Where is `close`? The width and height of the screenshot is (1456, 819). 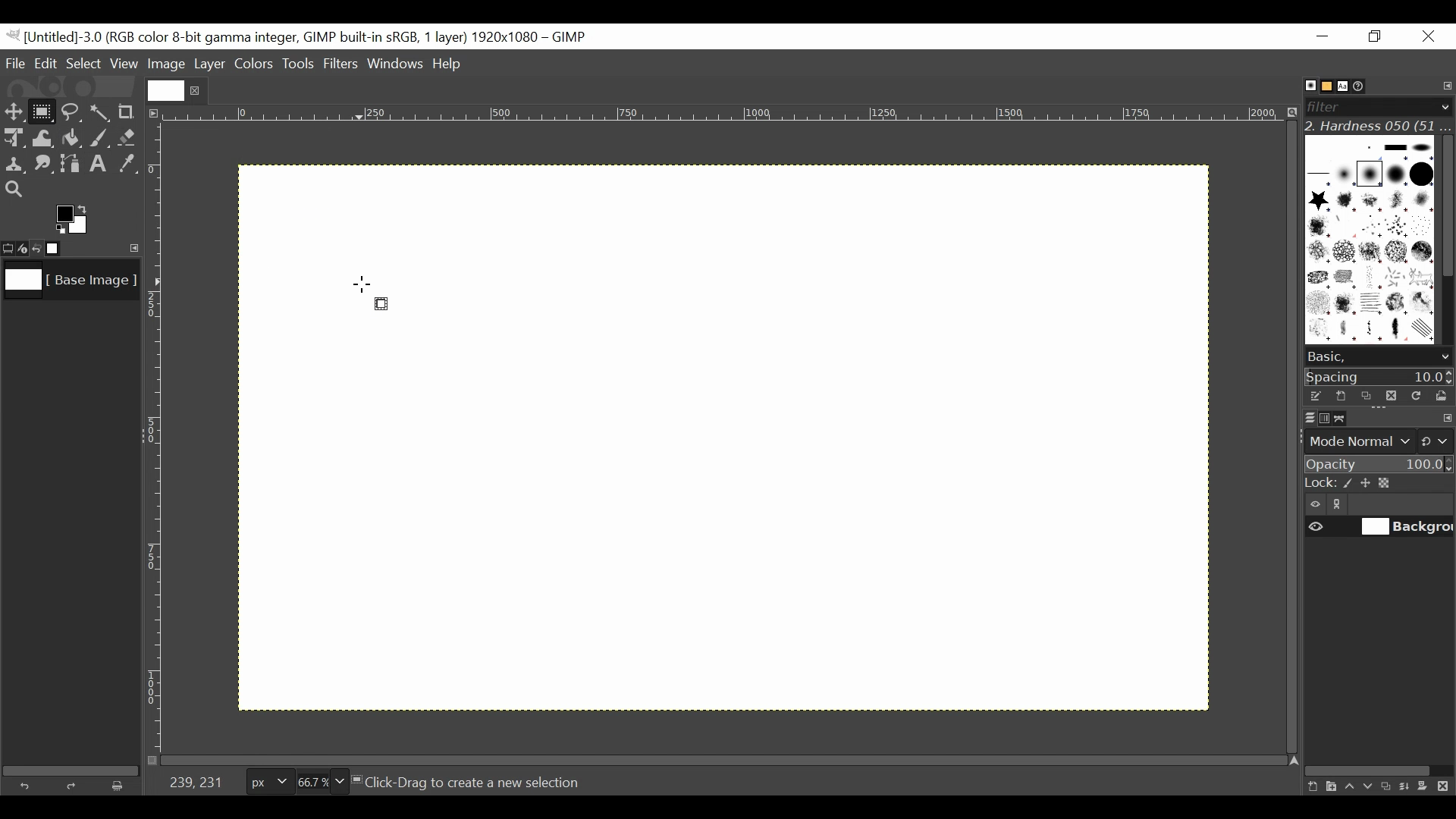
close is located at coordinates (197, 90).